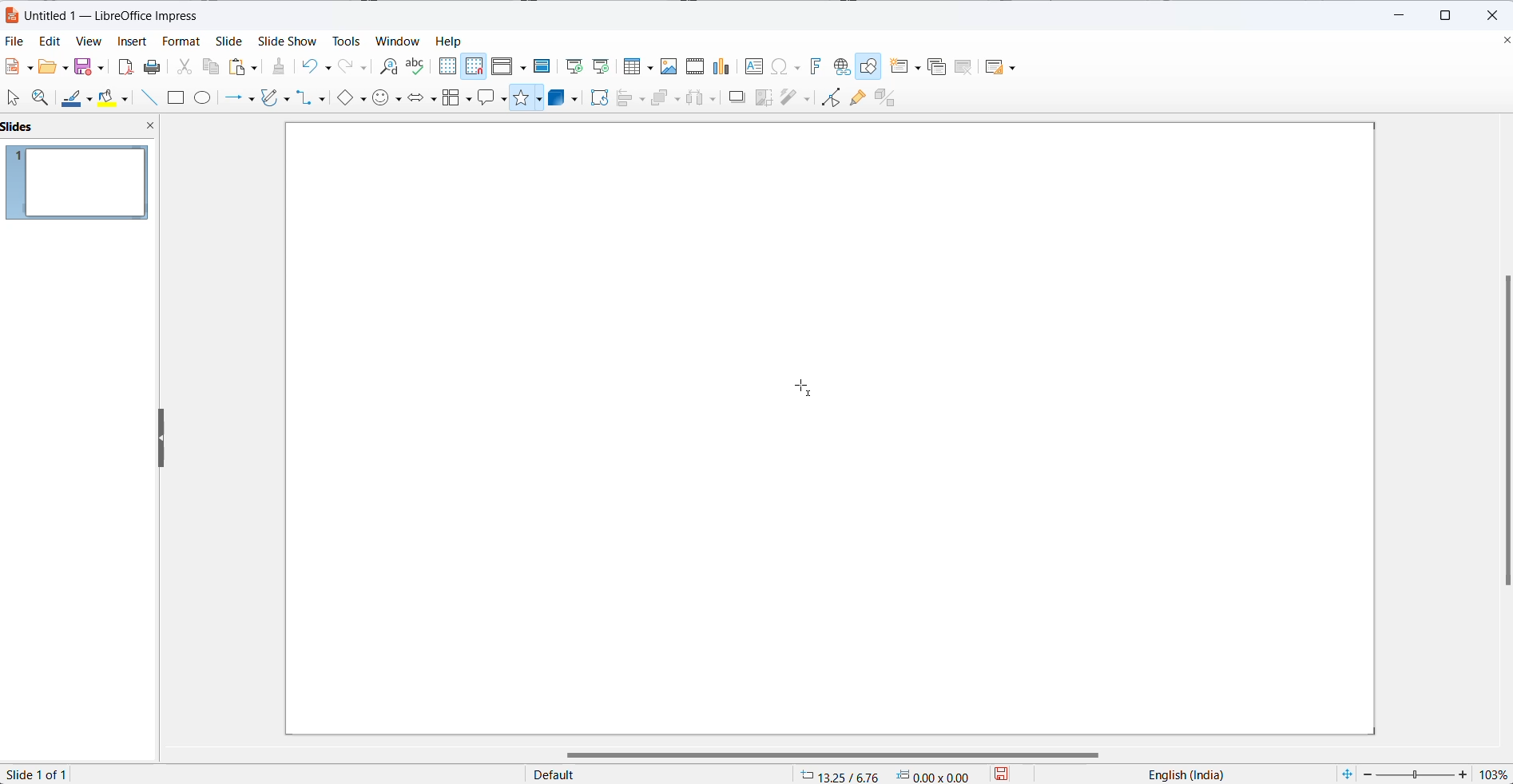  What do you see at coordinates (182, 41) in the screenshot?
I see `format` at bounding box center [182, 41].